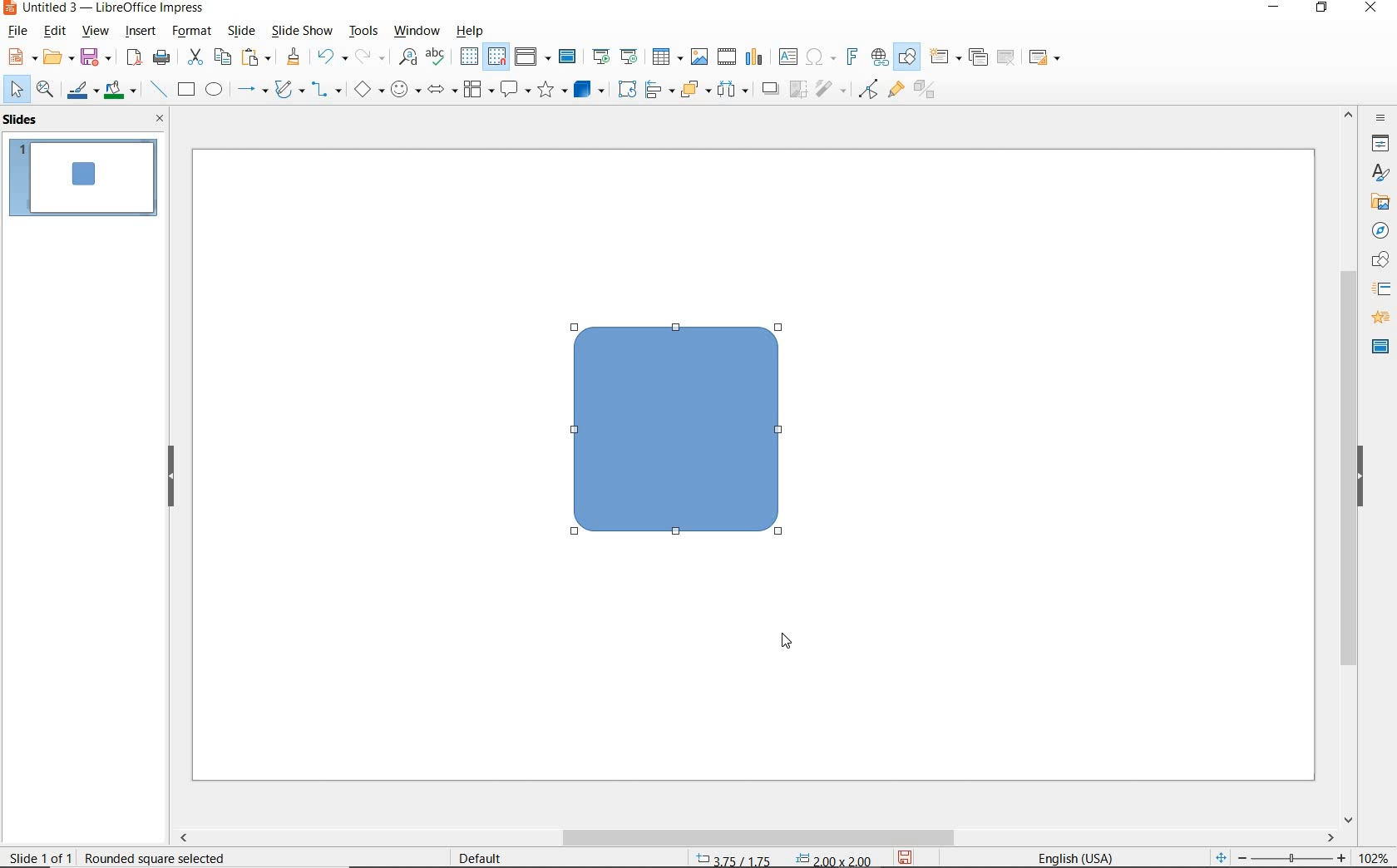  Describe the element at coordinates (787, 56) in the screenshot. I see `insert text box` at that location.